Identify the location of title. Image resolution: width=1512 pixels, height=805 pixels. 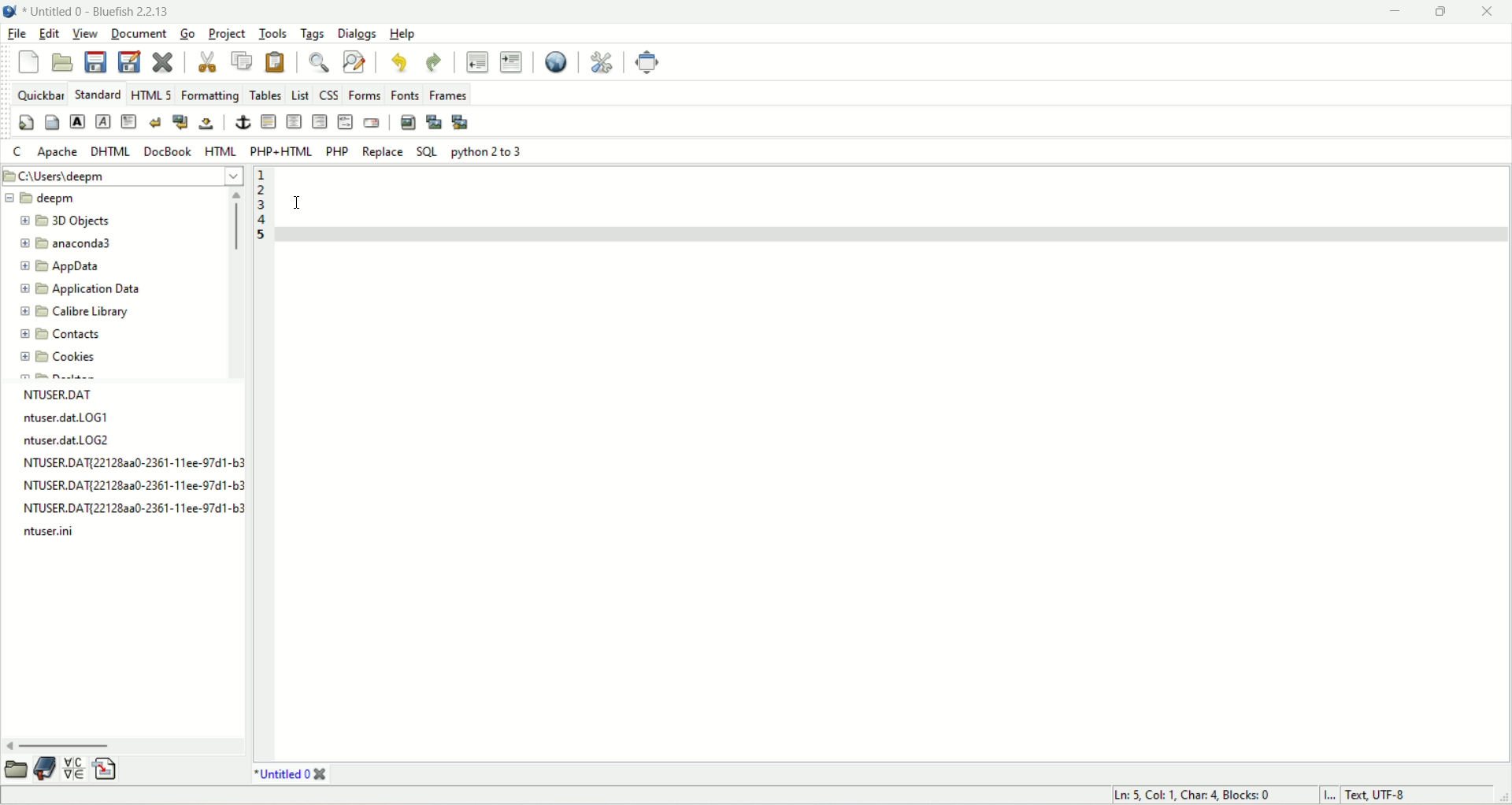
(98, 13).